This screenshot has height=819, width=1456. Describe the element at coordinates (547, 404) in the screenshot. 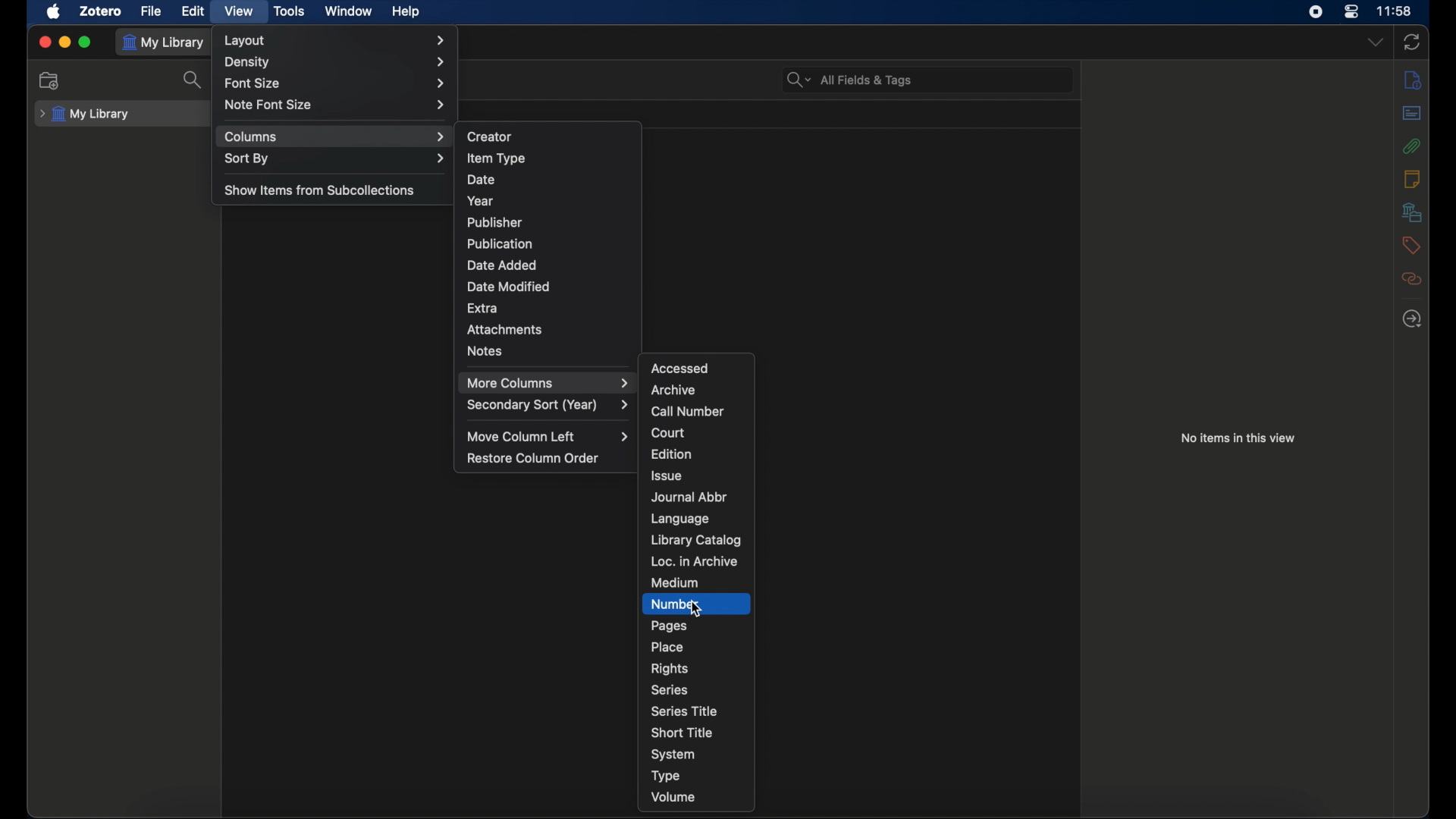

I see `secondary sort` at that location.